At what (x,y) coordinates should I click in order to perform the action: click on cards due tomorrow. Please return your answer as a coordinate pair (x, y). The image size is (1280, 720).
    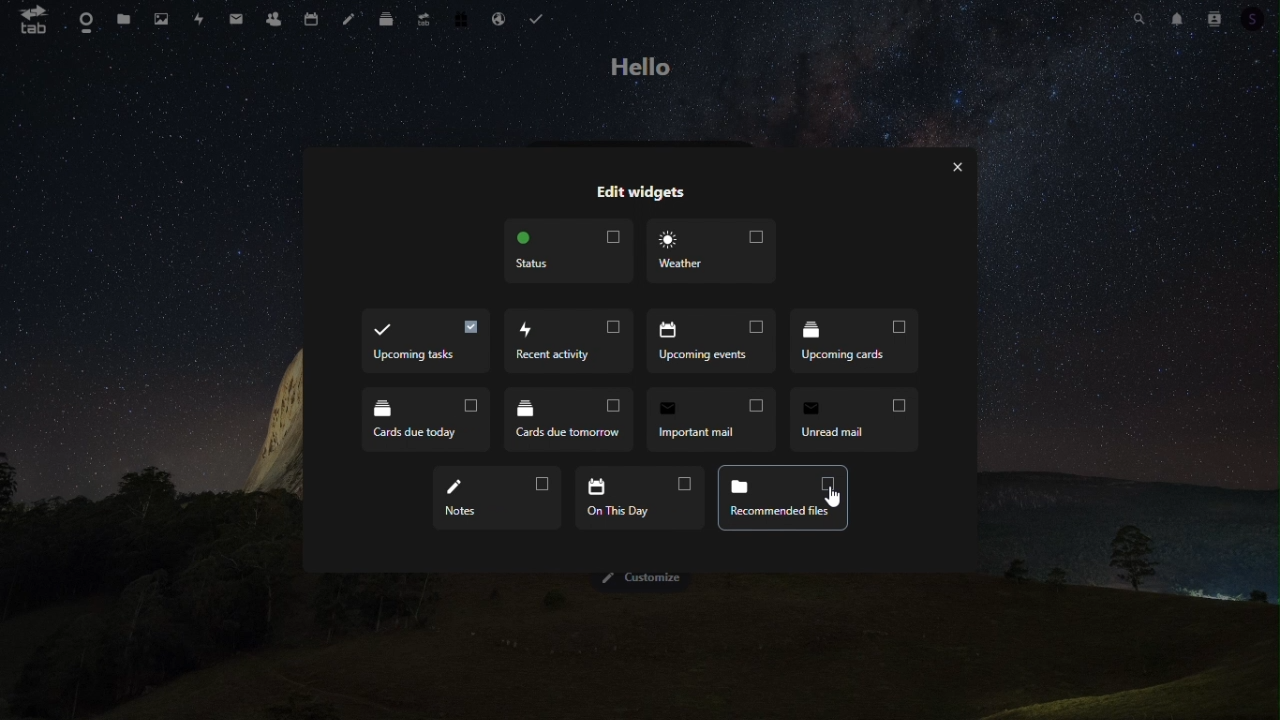
    Looking at the image, I should click on (427, 423).